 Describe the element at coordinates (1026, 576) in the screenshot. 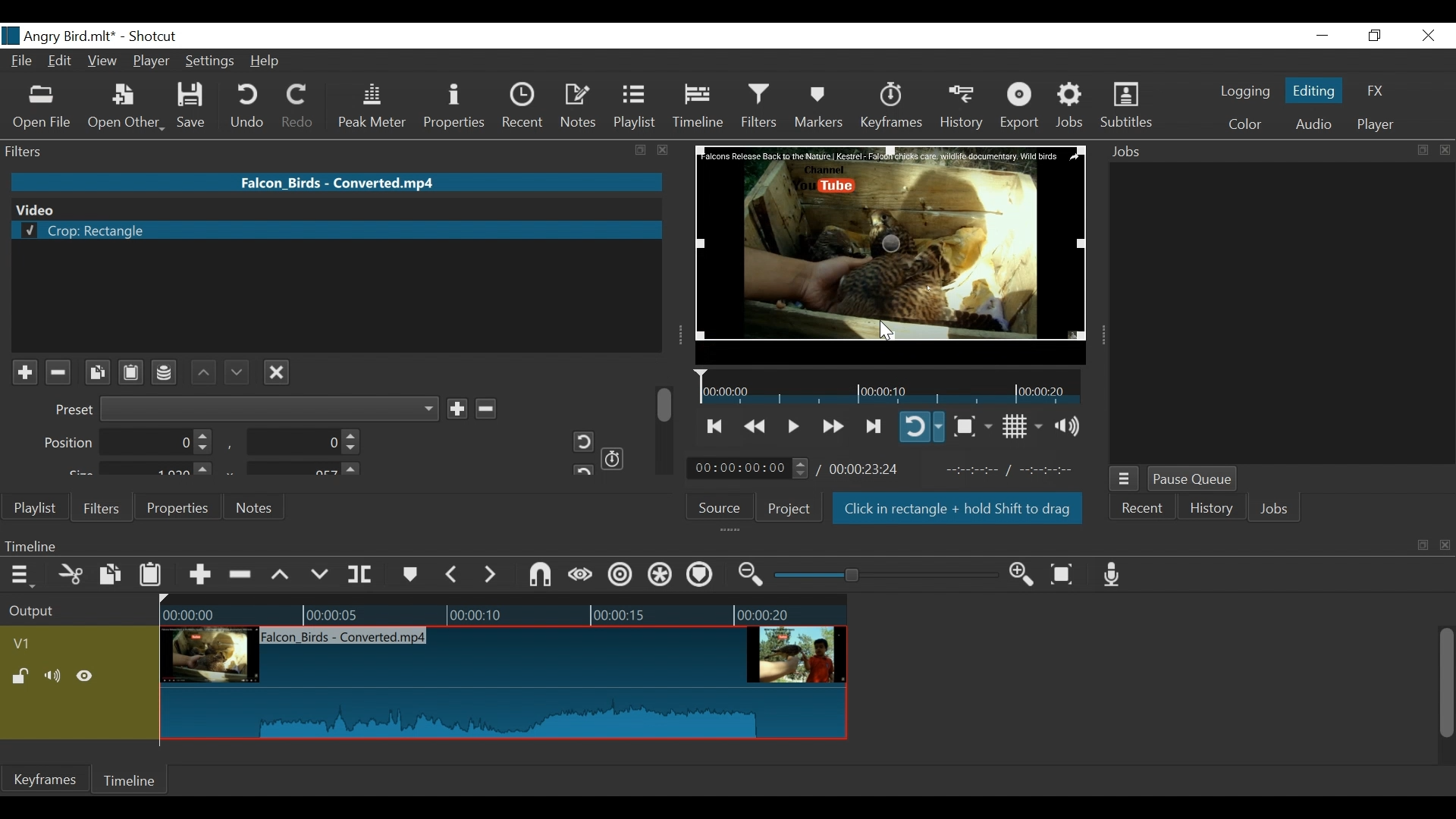

I see `Zoom timeline in` at that location.